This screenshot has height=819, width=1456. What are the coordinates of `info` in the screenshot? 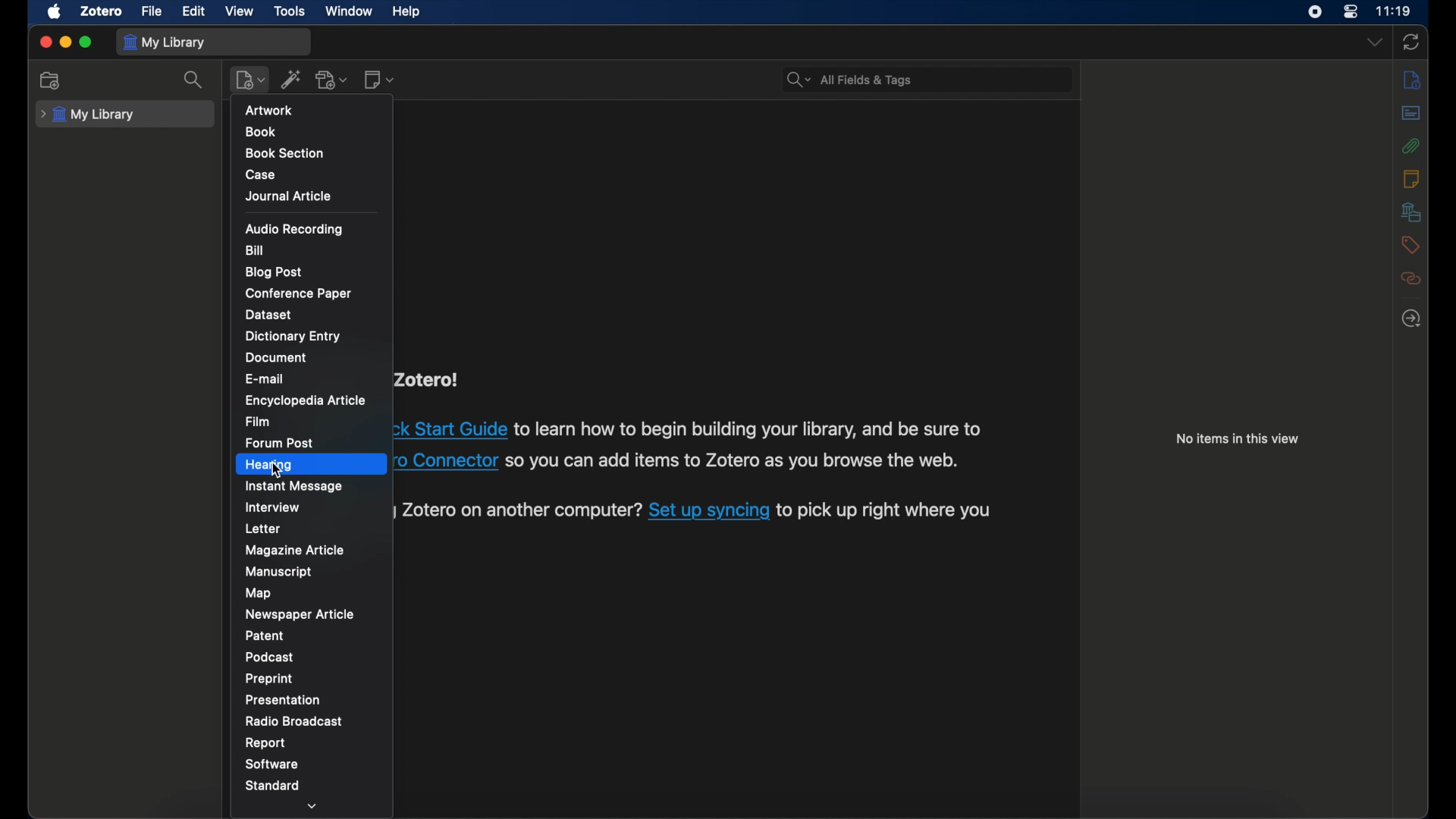 It's located at (1411, 80).